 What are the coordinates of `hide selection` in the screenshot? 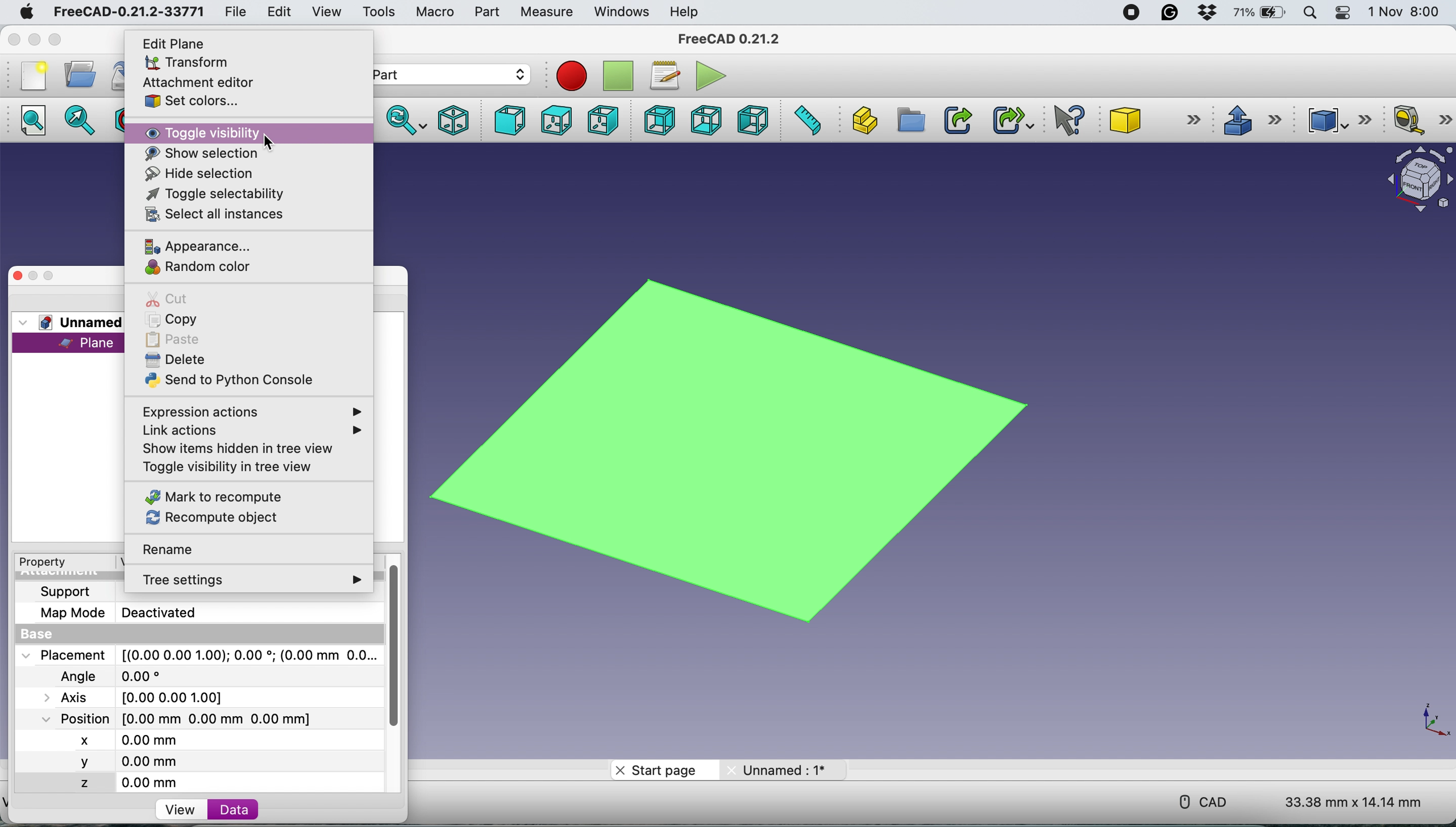 It's located at (197, 173).